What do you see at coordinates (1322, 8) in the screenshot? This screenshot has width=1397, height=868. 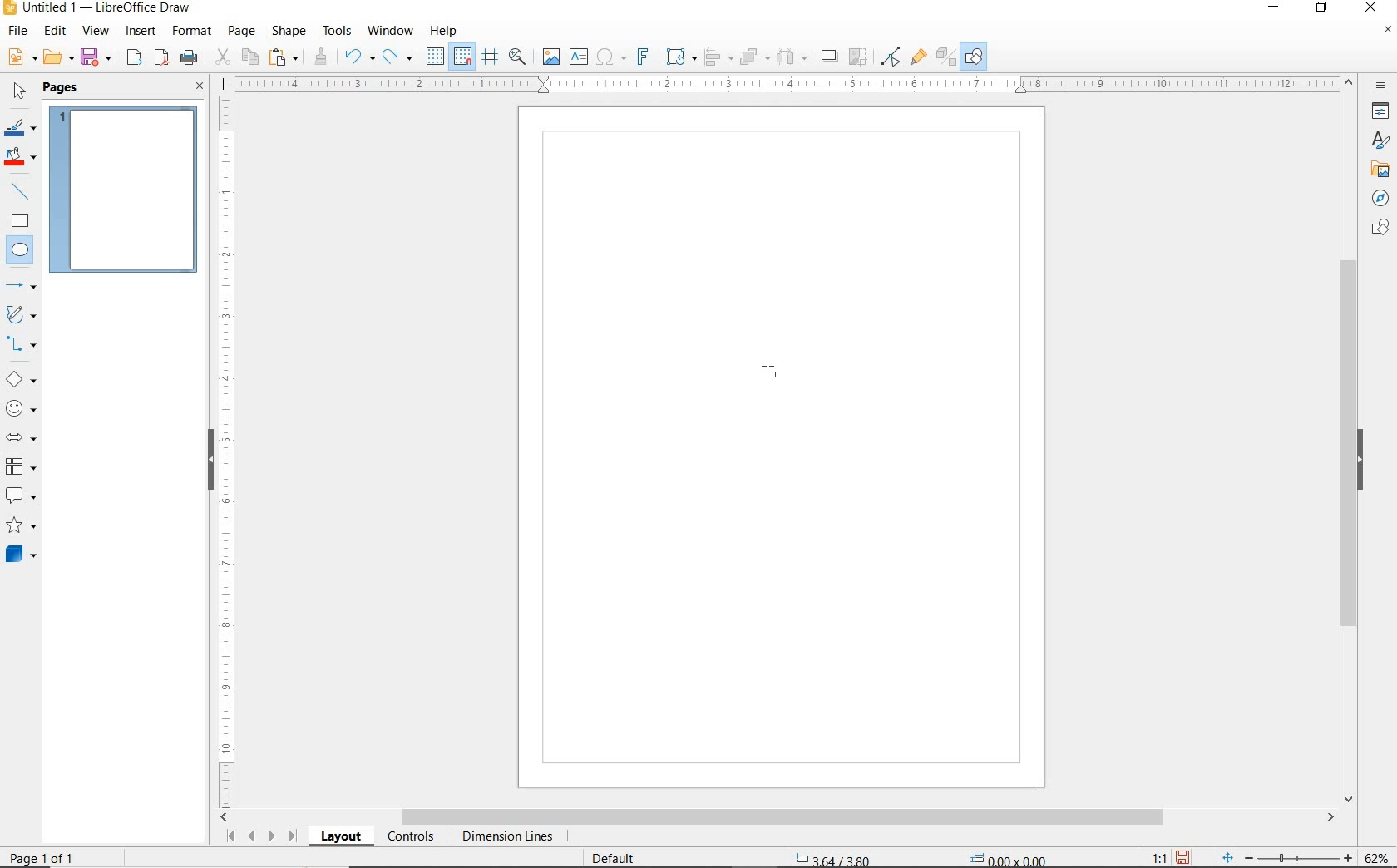 I see `RESTORE DOWN` at bounding box center [1322, 8].